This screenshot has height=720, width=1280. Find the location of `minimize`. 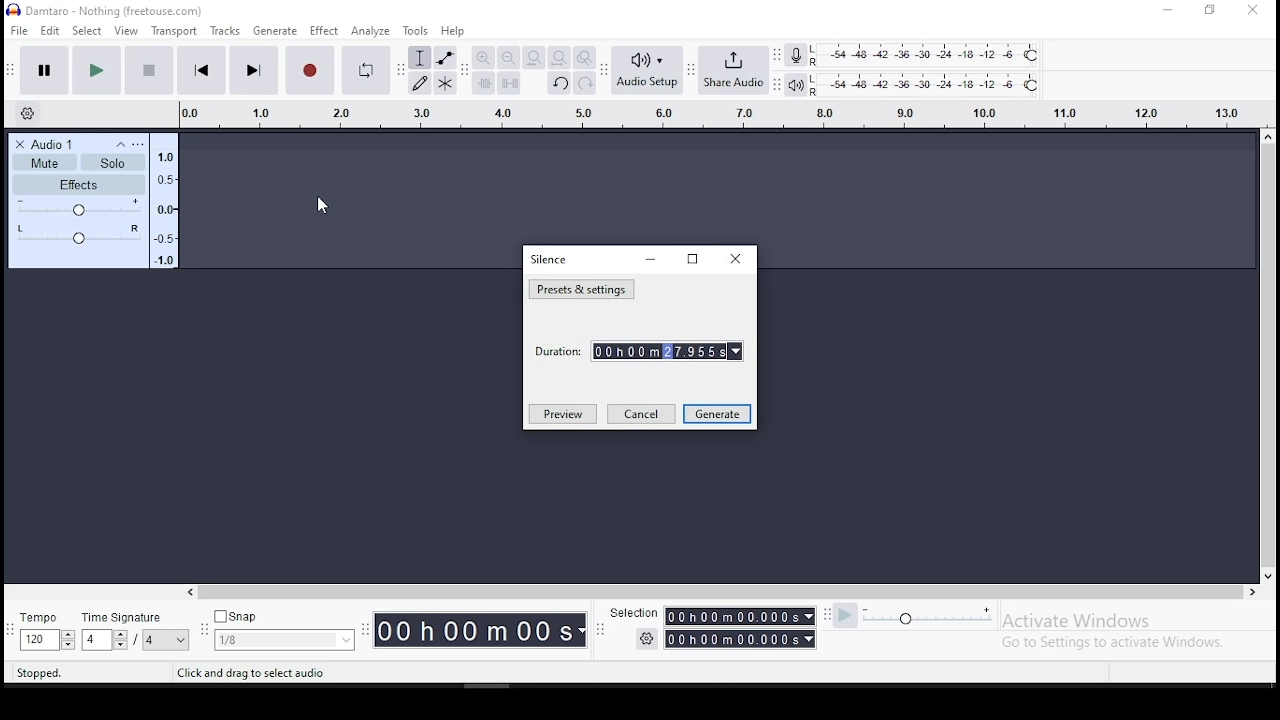

minimize is located at coordinates (652, 260).